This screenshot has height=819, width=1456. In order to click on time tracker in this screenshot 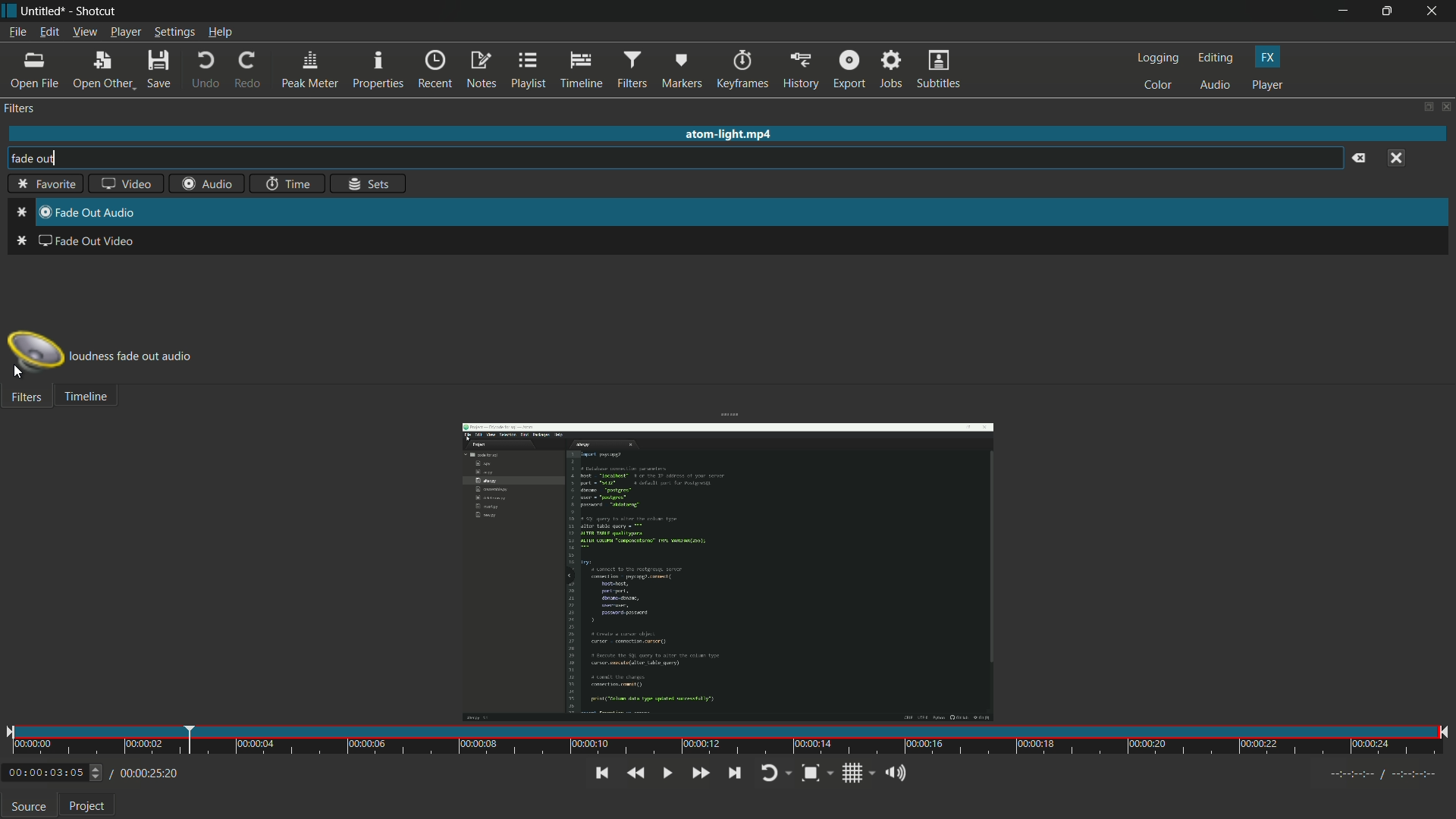, I will do `click(727, 741)`.